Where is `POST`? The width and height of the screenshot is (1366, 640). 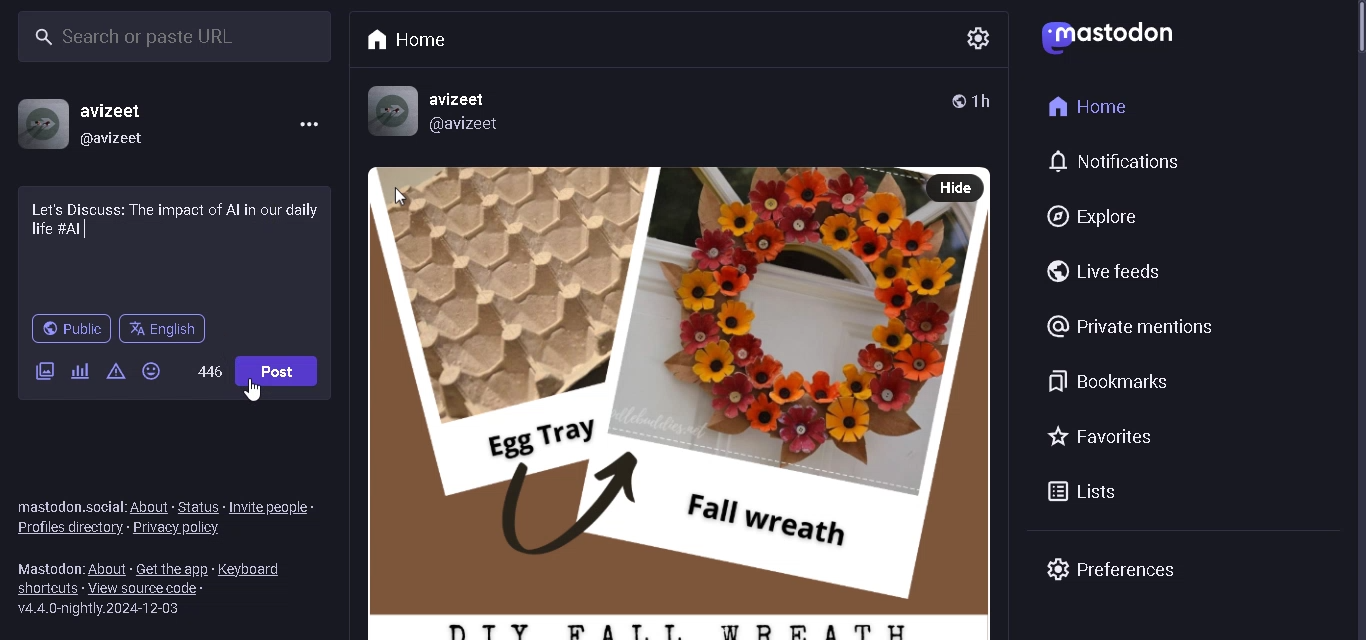 POST is located at coordinates (283, 371).